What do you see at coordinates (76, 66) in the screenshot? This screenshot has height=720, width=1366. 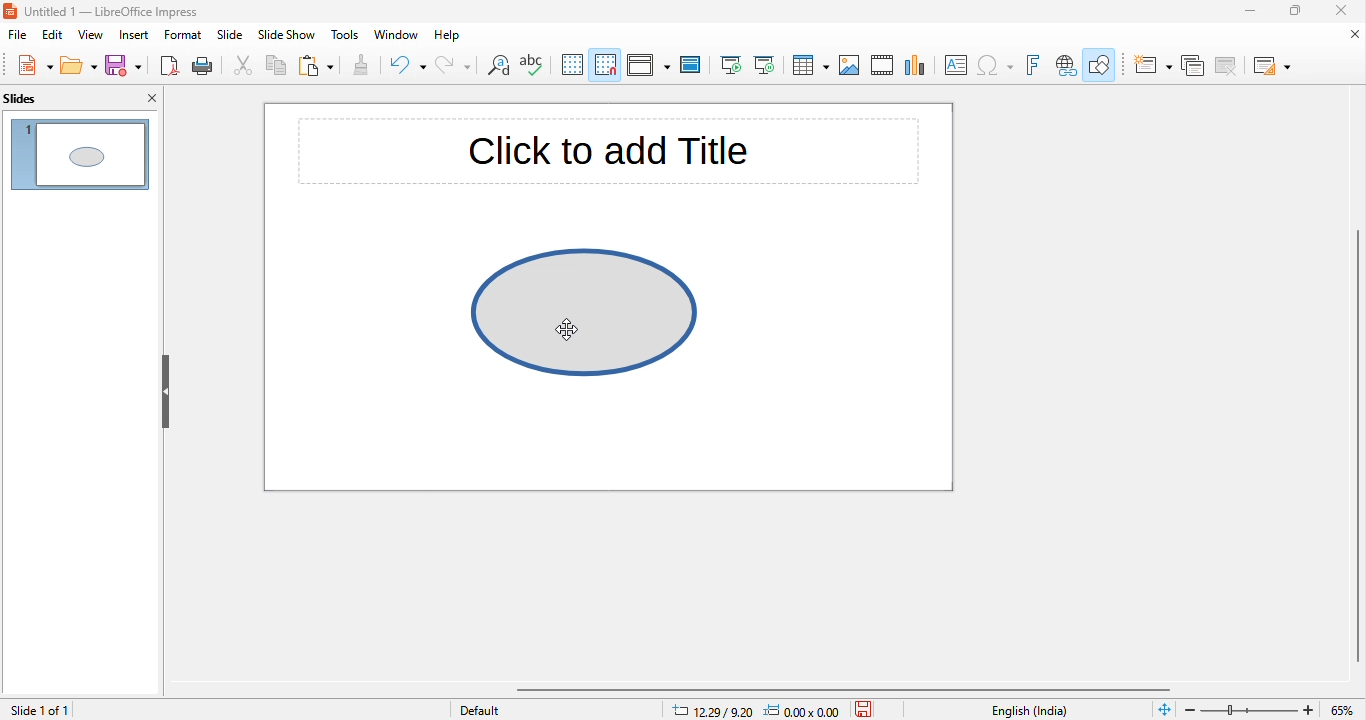 I see `open` at bounding box center [76, 66].